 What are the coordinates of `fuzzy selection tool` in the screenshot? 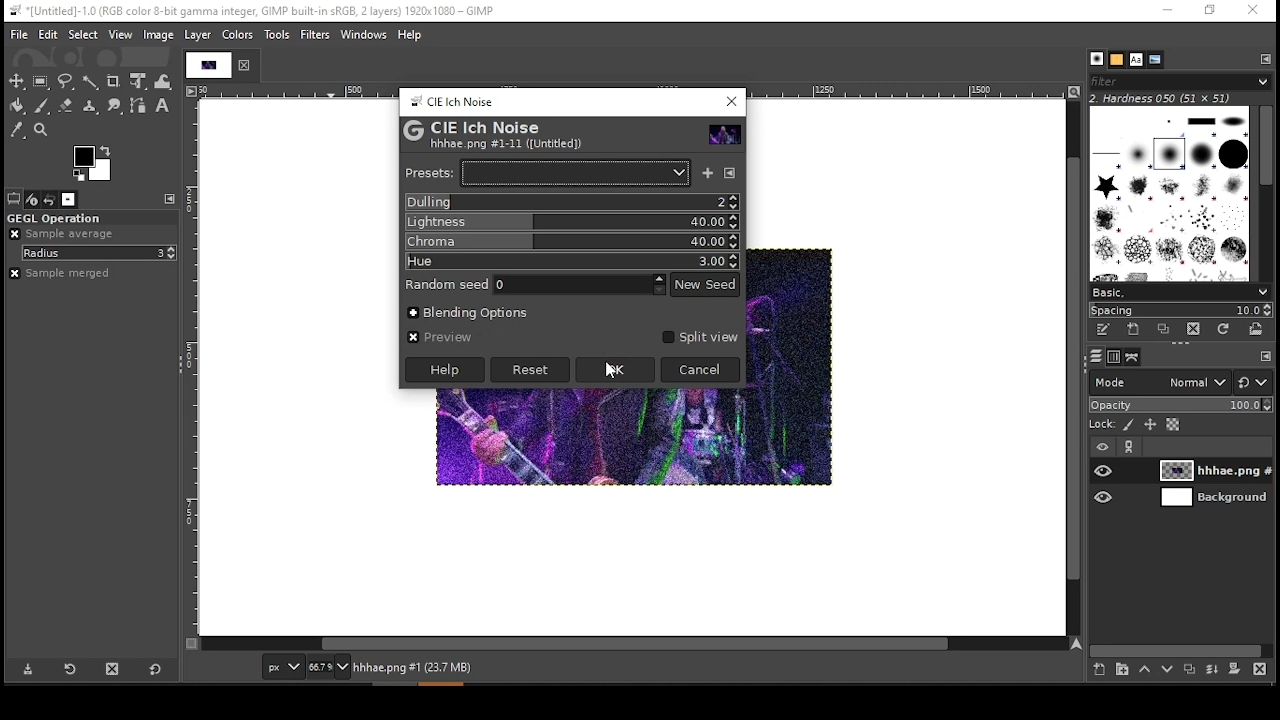 It's located at (91, 80).